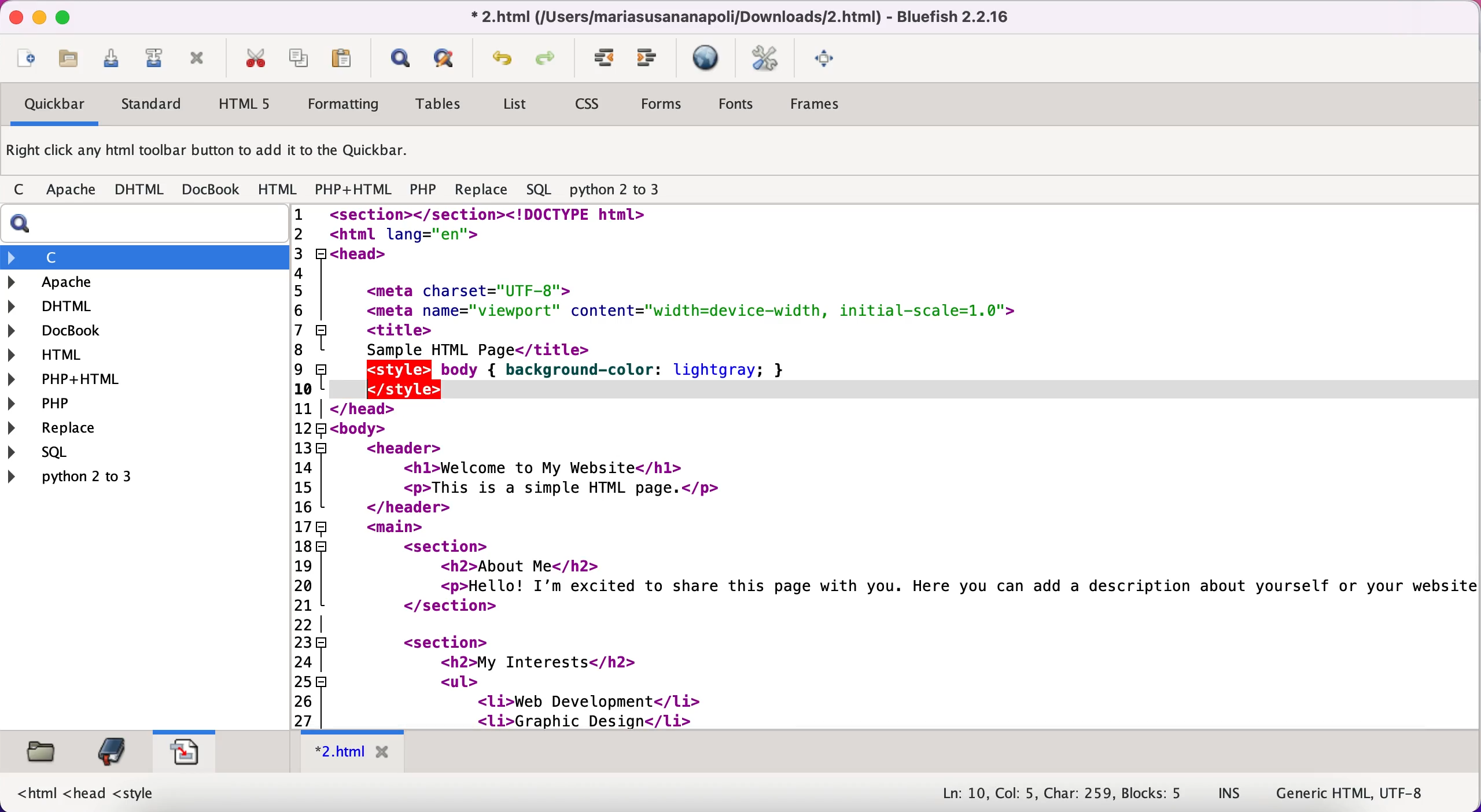 Image resolution: width=1481 pixels, height=812 pixels. What do you see at coordinates (63, 16) in the screenshot?
I see `maximize` at bounding box center [63, 16].